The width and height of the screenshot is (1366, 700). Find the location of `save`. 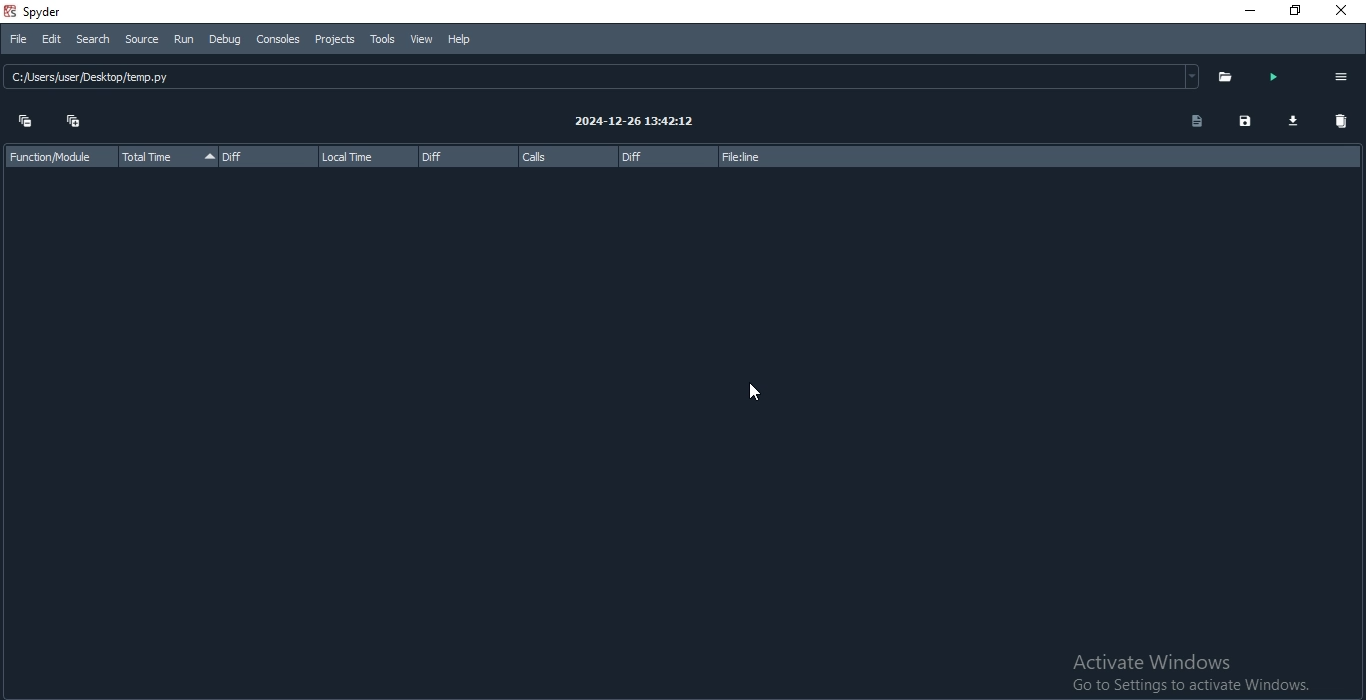

save is located at coordinates (1246, 122).